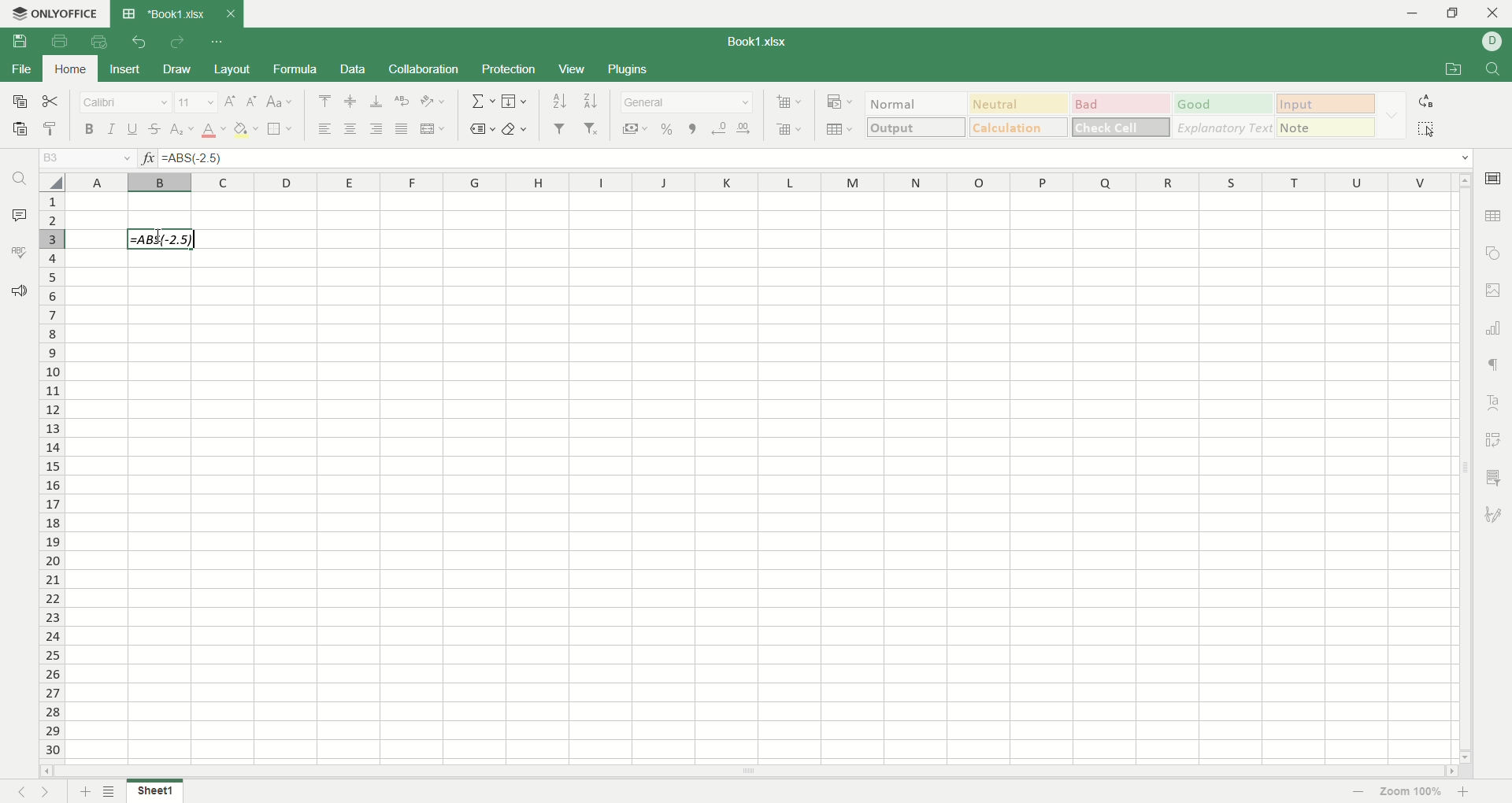 Image resolution: width=1512 pixels, height=803 pixels. I want to click on redo, so click(178, 41).